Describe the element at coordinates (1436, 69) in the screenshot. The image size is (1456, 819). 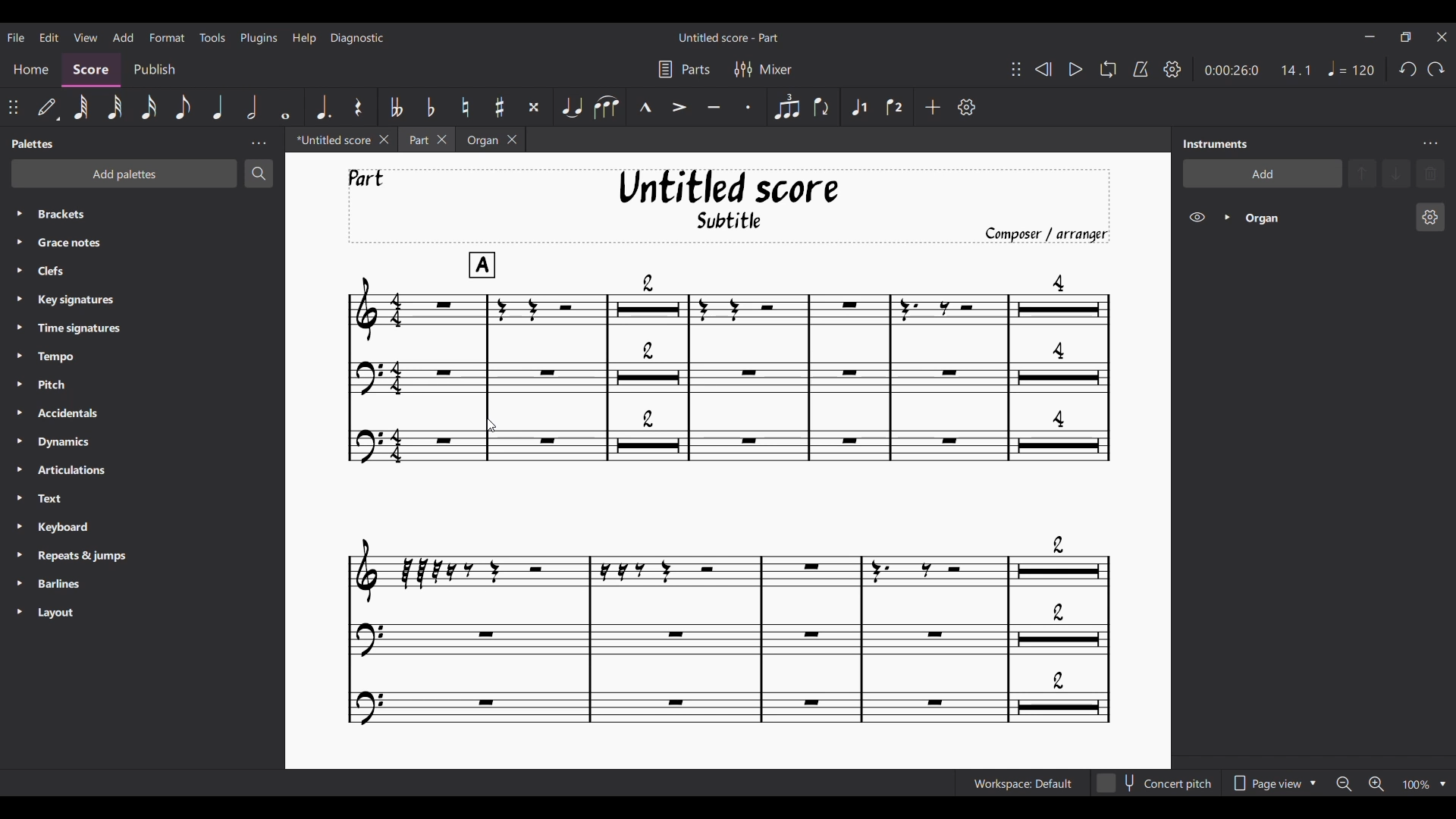
I see `Redo` at that location.